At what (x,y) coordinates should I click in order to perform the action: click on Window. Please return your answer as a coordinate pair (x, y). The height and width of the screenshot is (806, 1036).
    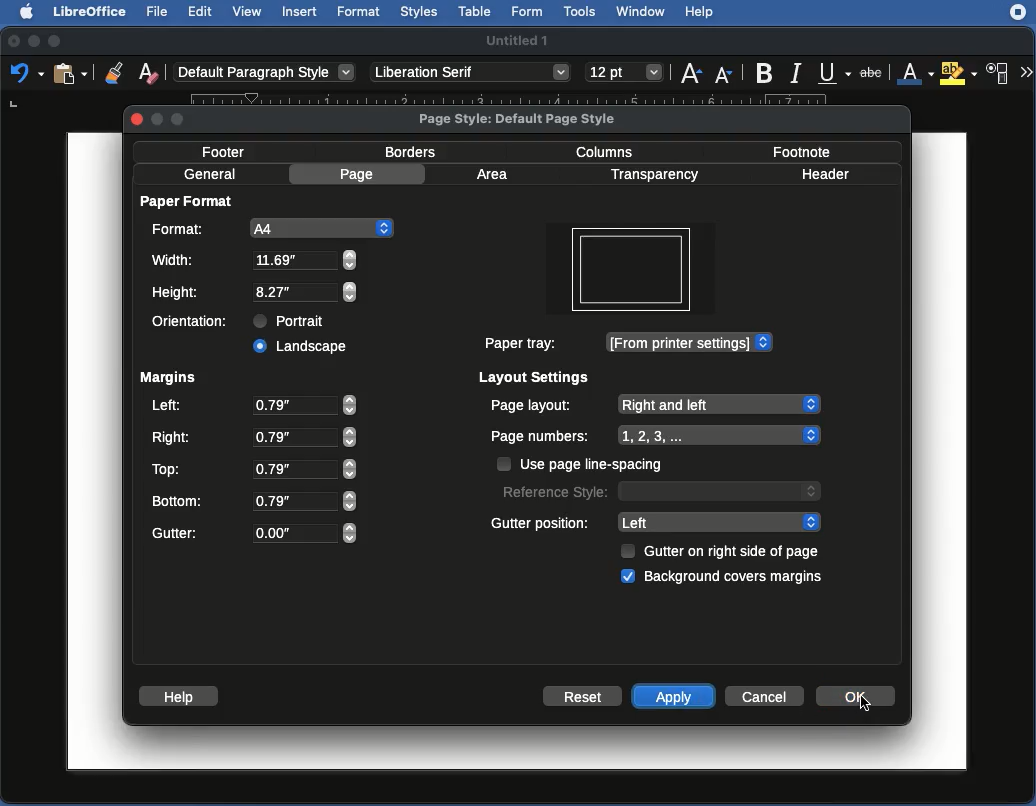
    Looking at the image, I should click on (644, 12).